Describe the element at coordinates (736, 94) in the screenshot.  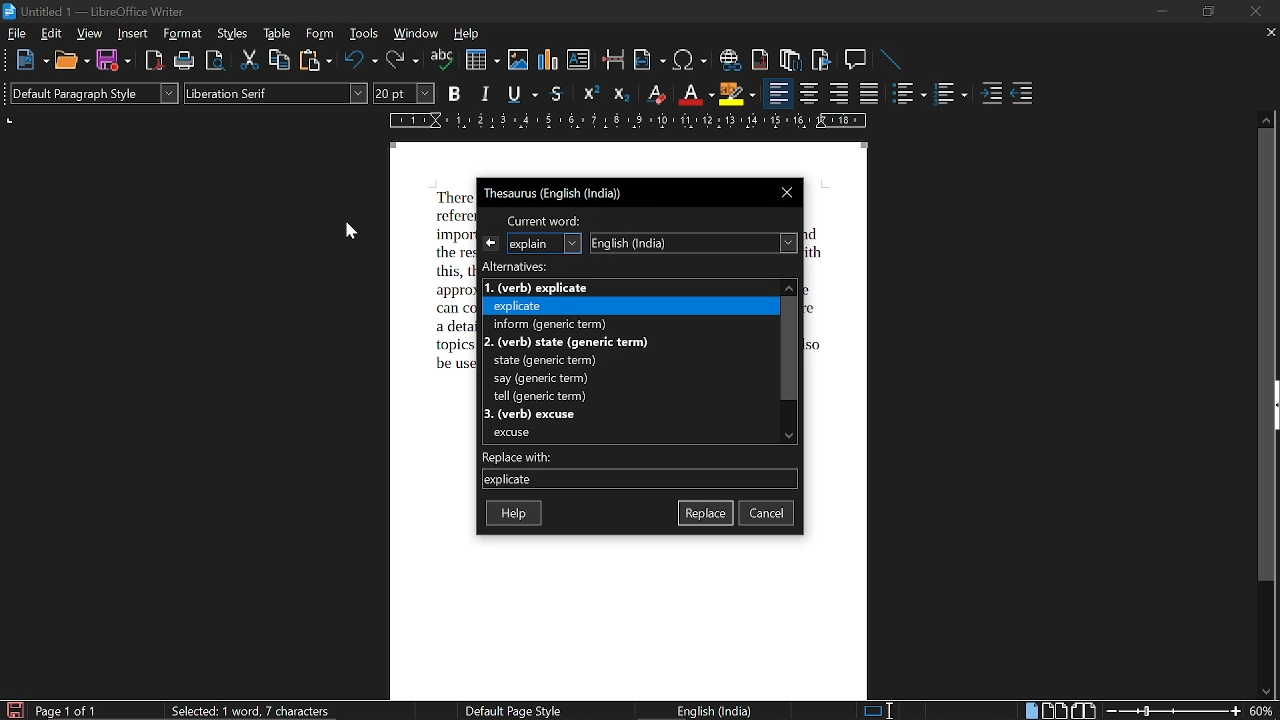
I see `highlight` at that location.